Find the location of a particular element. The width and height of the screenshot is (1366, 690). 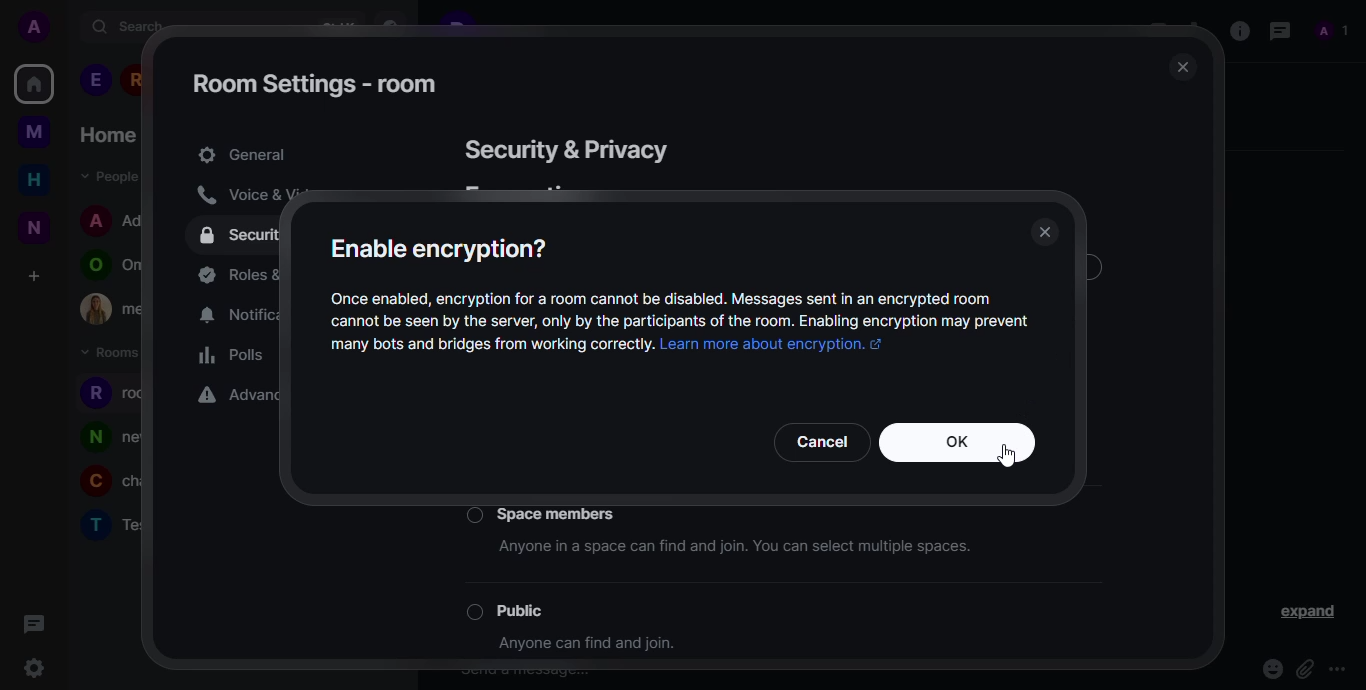

myspace is located at coordinates (33, 133).